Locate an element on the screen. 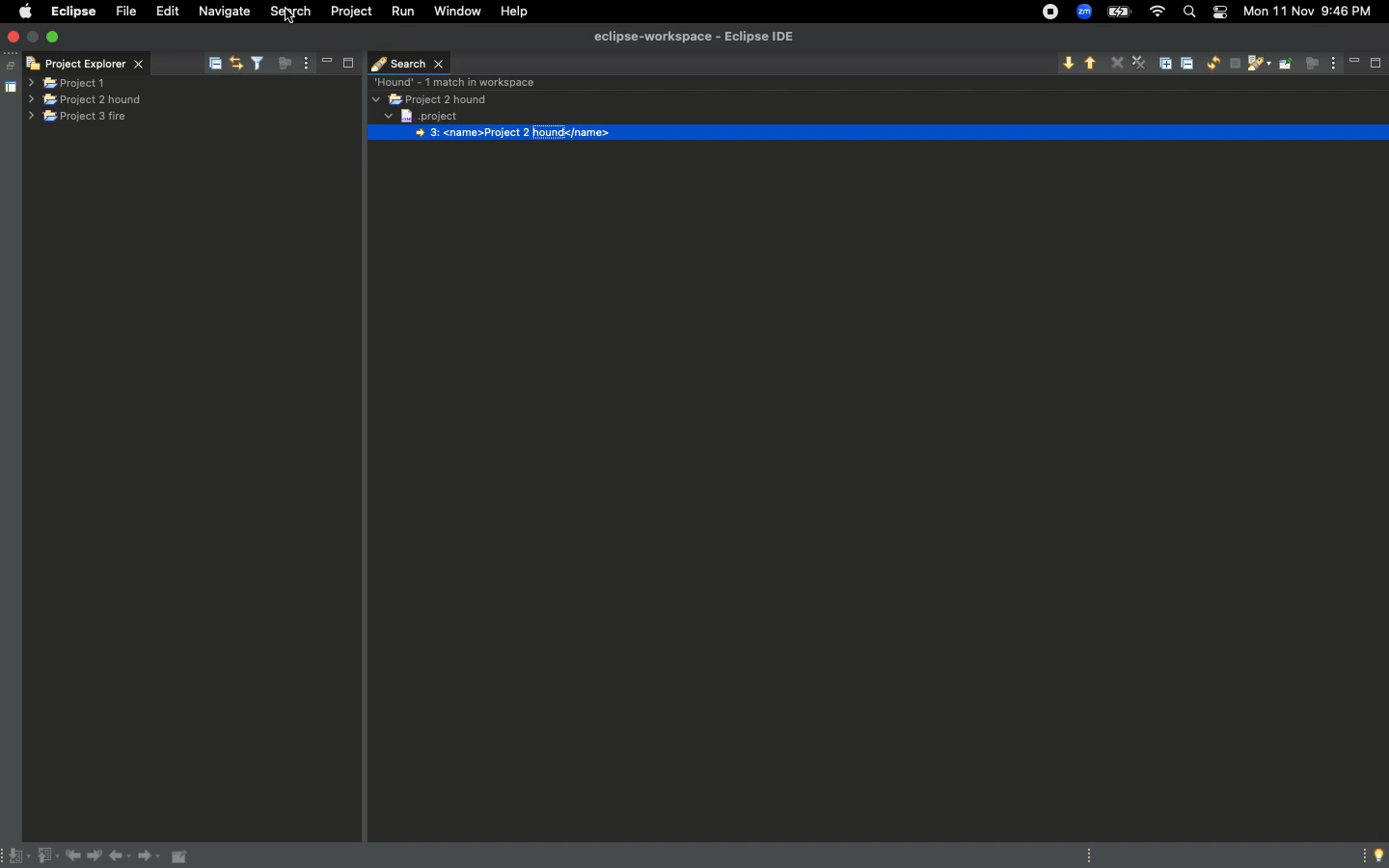  Search is located at coordinates (1188, 13).